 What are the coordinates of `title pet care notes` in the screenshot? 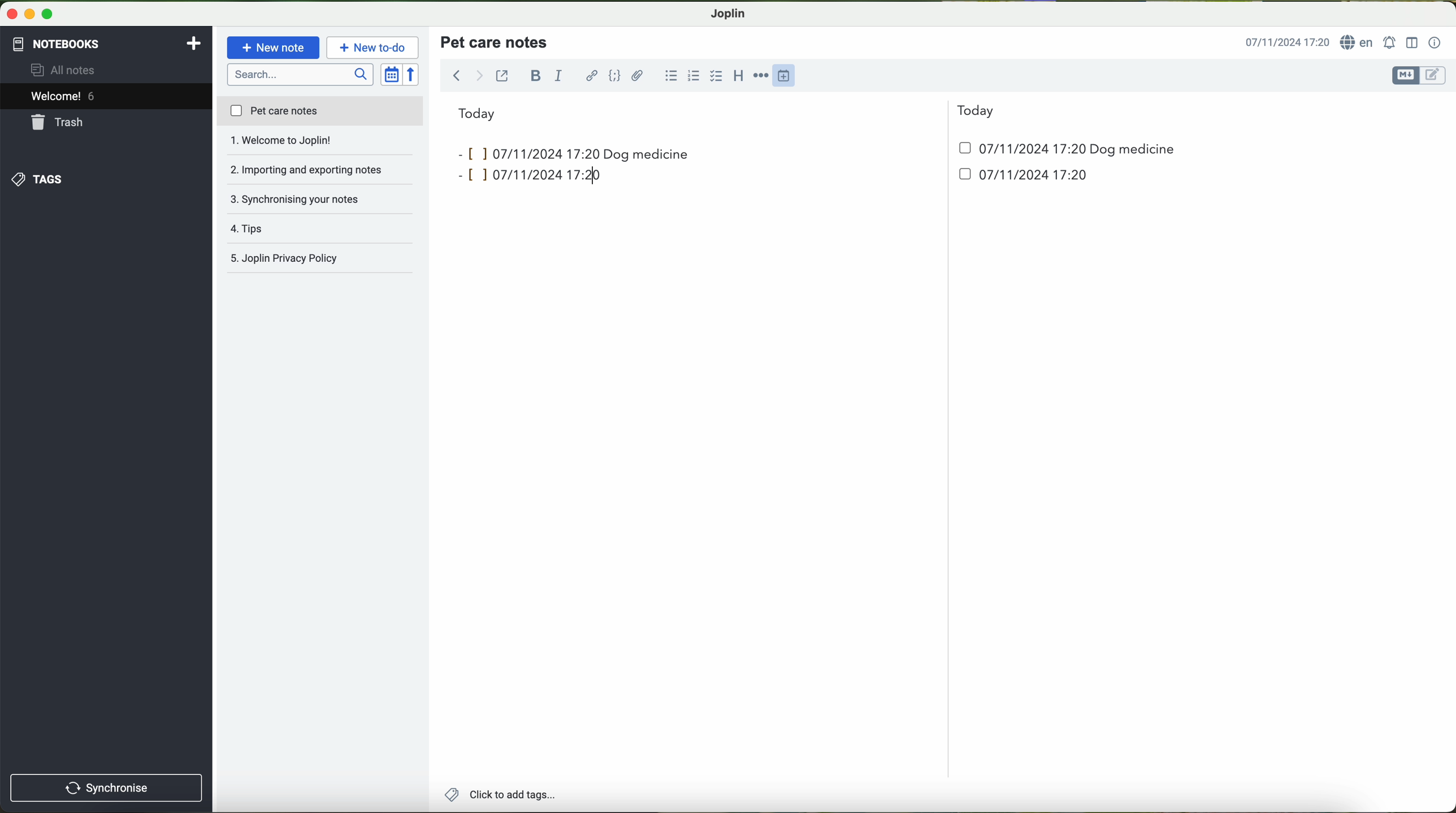 It's located at (496, 41).